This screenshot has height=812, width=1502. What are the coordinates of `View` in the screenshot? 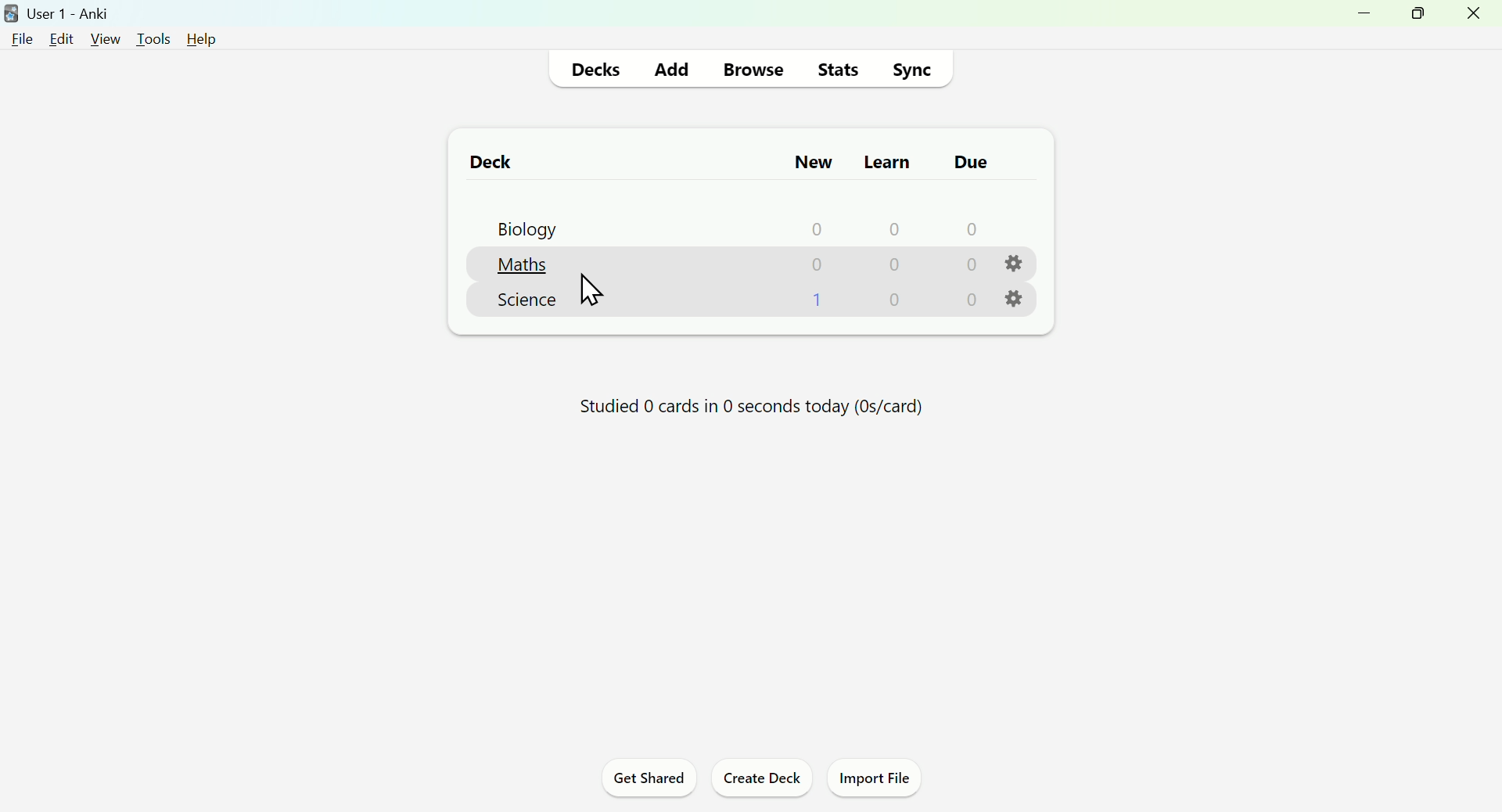 It's located at (104, 38).